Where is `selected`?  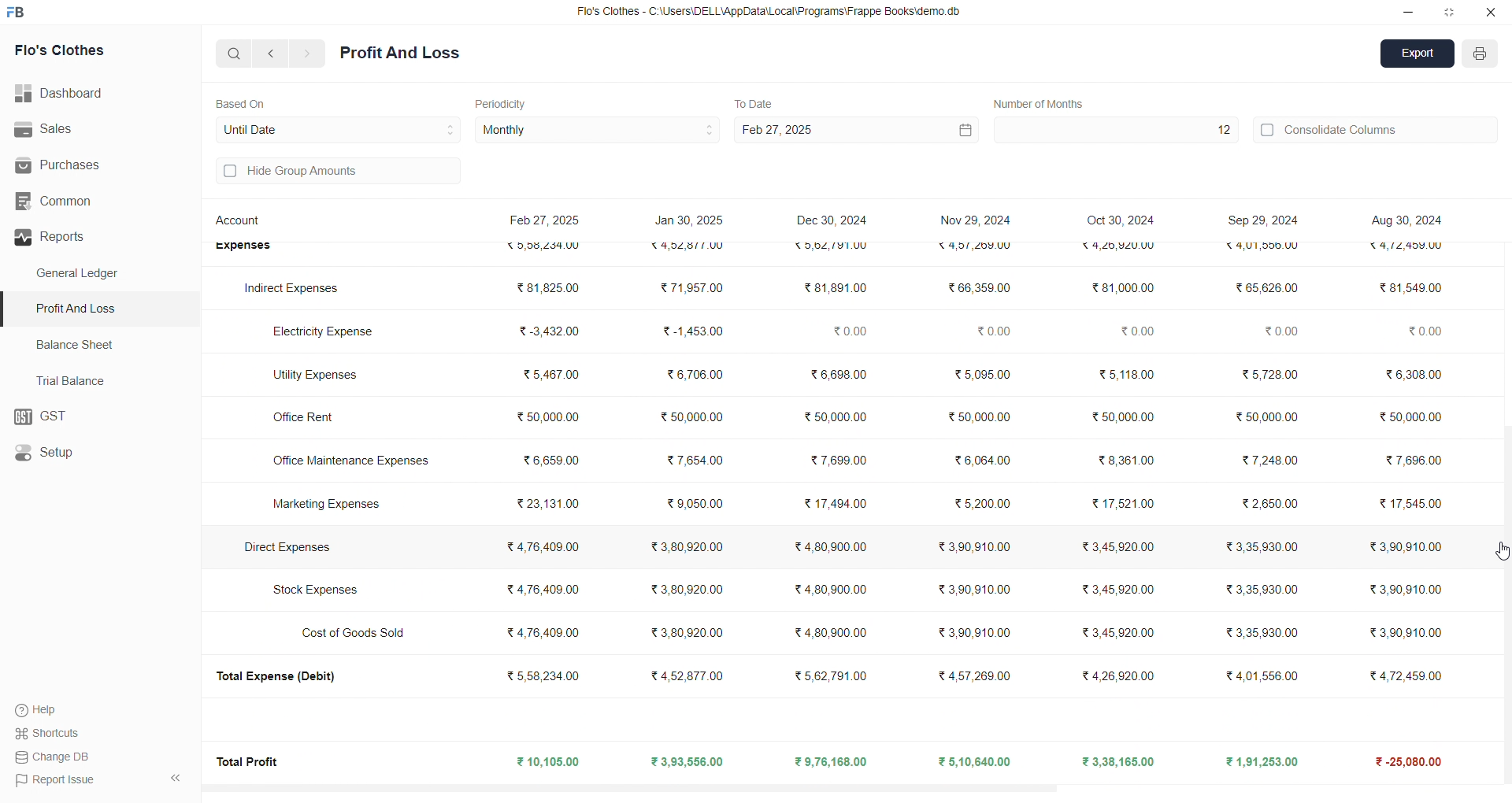
selected is located at coordinates (9, 309).